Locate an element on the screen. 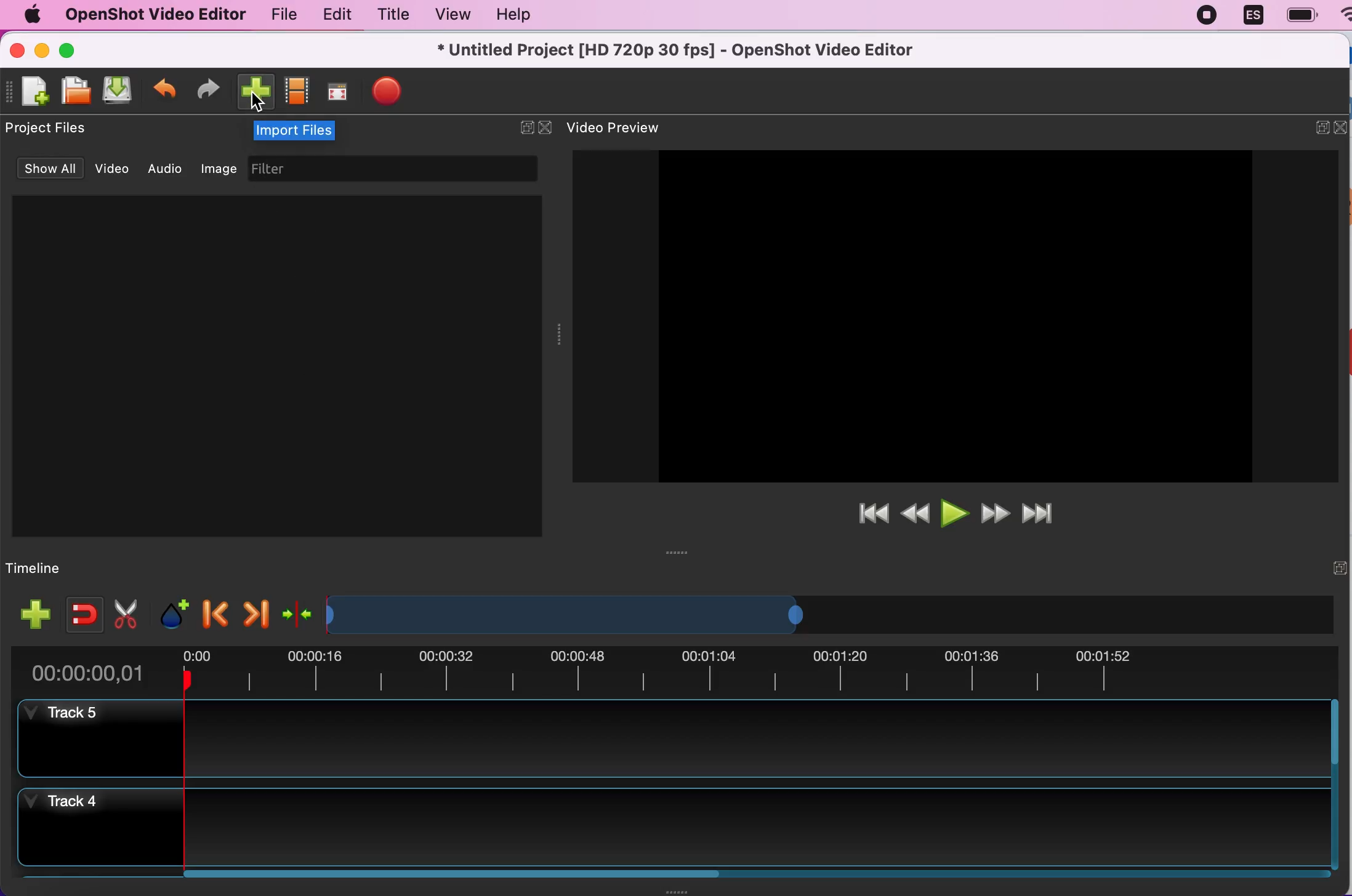  title is located at coordinates (391, 15).